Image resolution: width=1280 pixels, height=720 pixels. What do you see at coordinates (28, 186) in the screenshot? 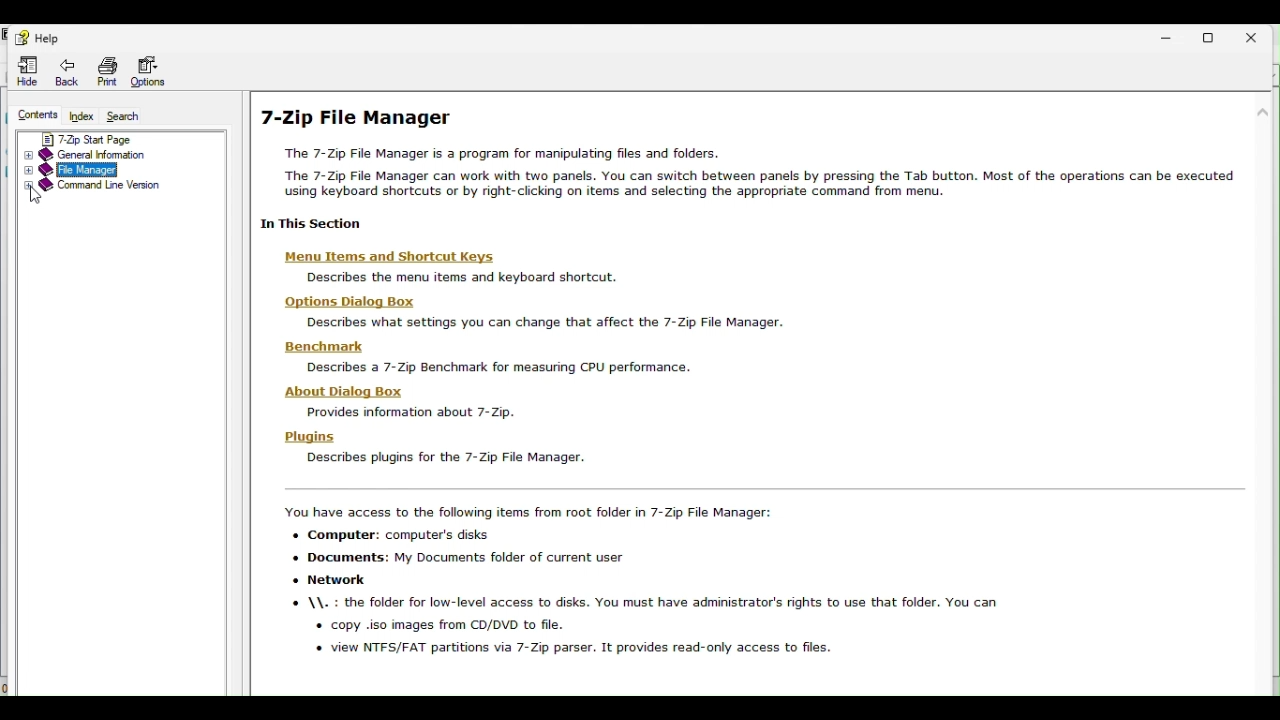
I see `expand` at bounding box center [28, 186].